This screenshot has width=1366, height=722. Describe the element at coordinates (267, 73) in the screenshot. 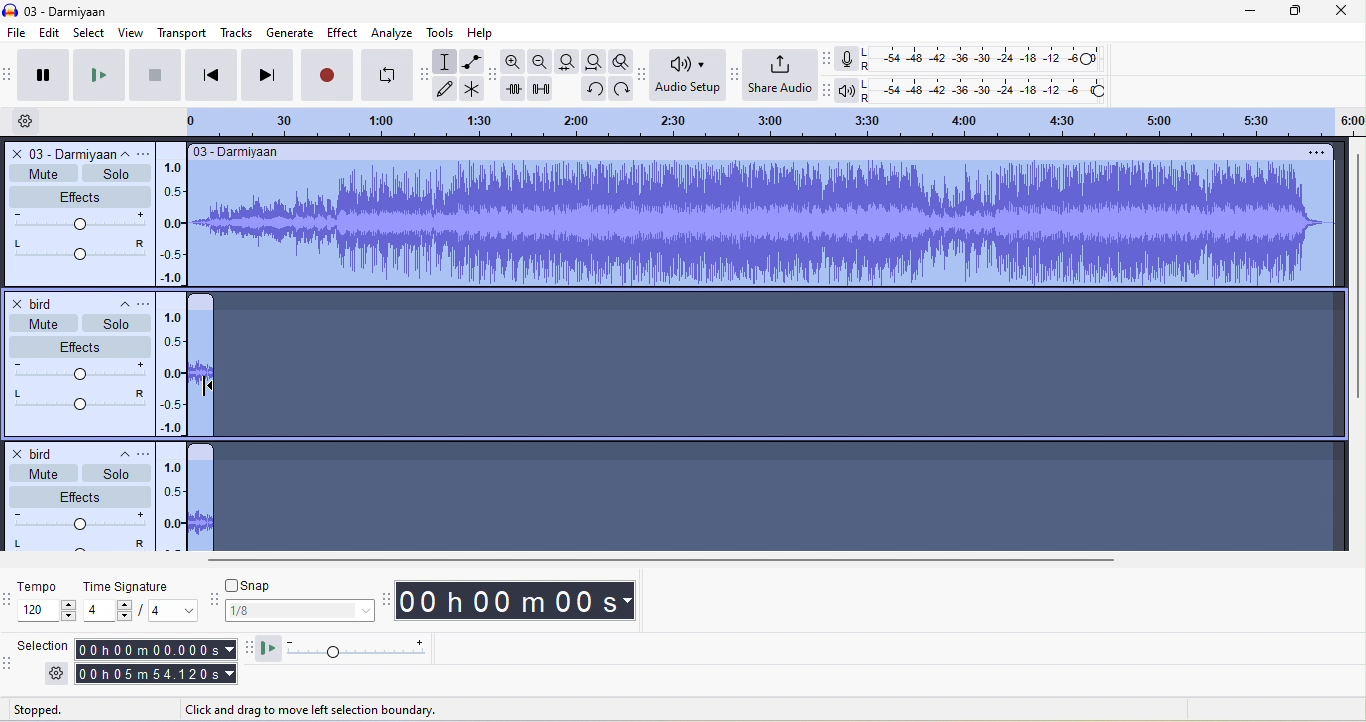

I see `skip to end` at that location.